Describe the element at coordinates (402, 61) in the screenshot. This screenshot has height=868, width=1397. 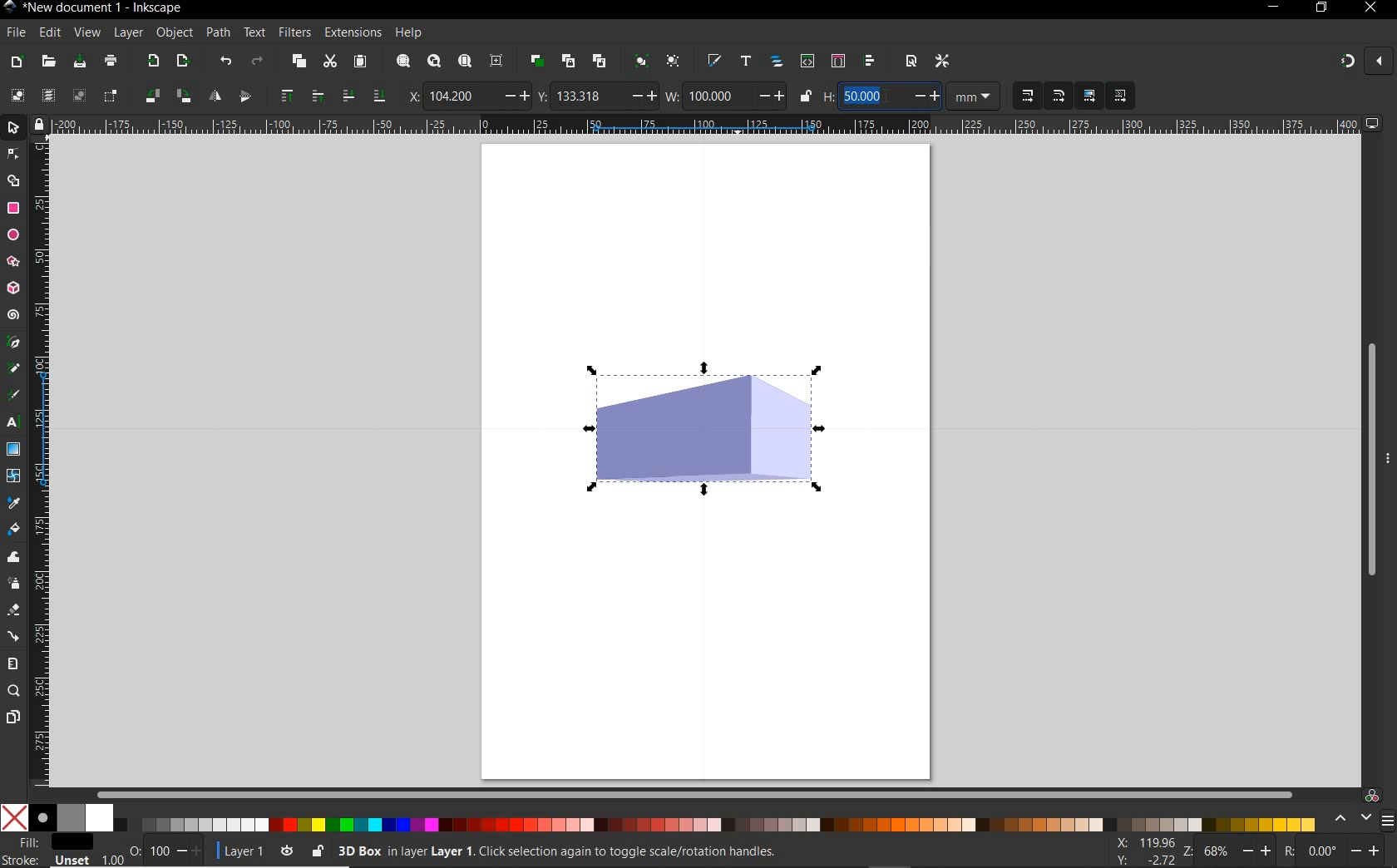
I see `zoom selection` at that location.